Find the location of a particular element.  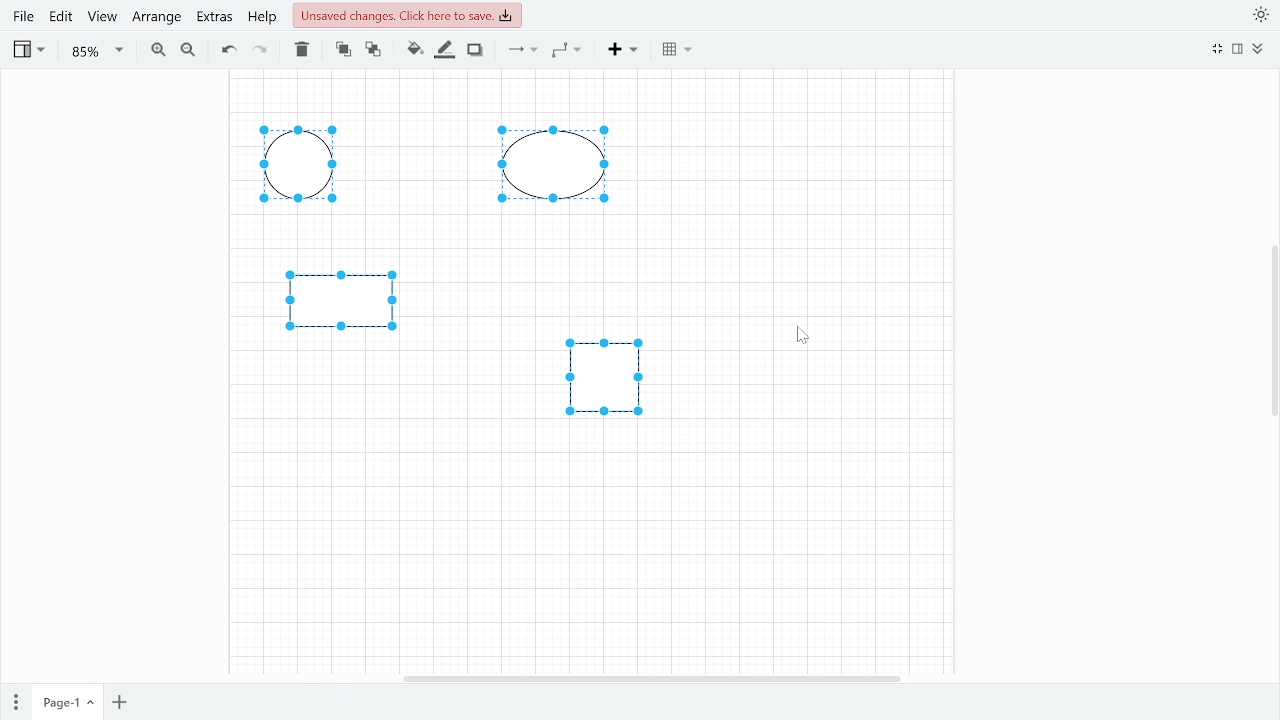

Shadow is located at coordinates (474, 51).